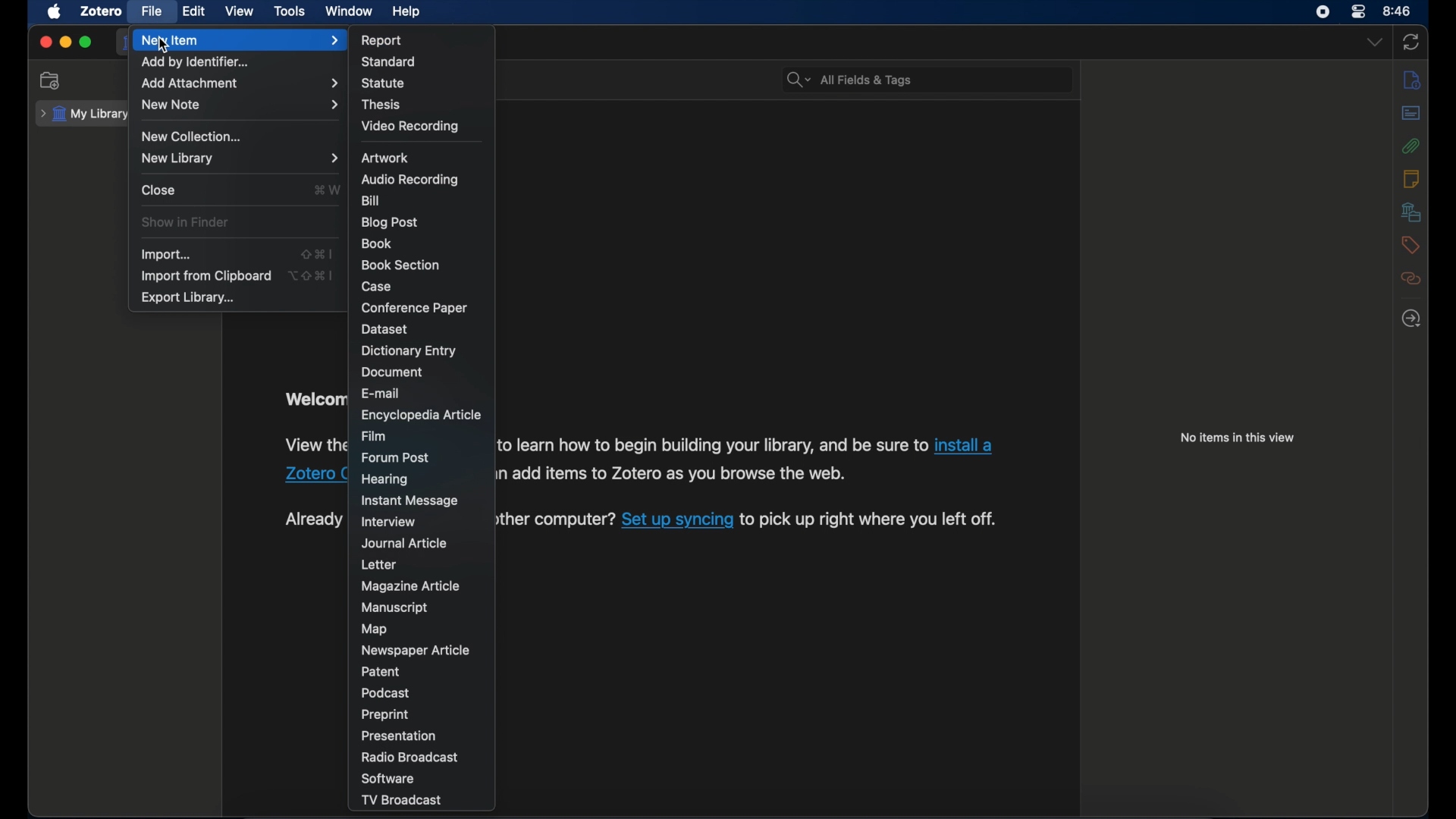 The height and width of the screenshot is (819, 1456). What do you see at coordinates (370, 201) in the screenshot?
I see `bill` at bounding box center [370, 201].